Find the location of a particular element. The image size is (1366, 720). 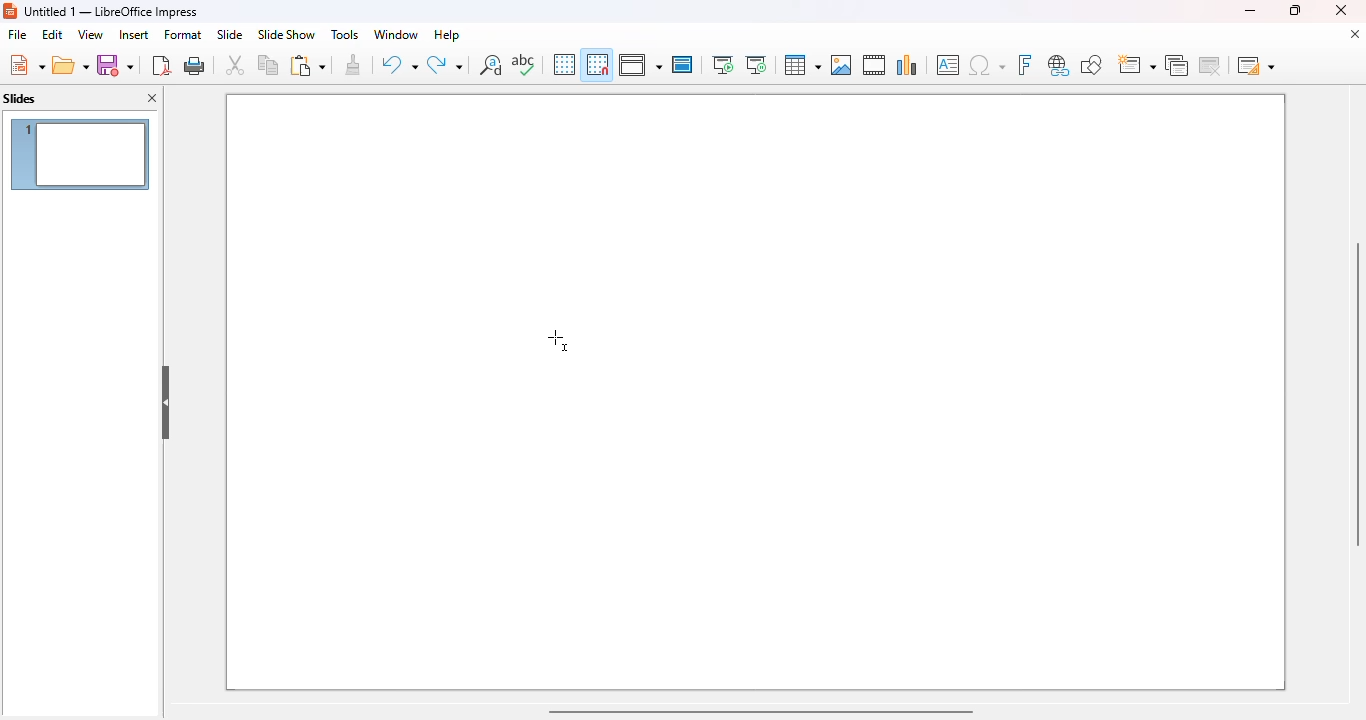

insert image is located at coordinates (841, 65).